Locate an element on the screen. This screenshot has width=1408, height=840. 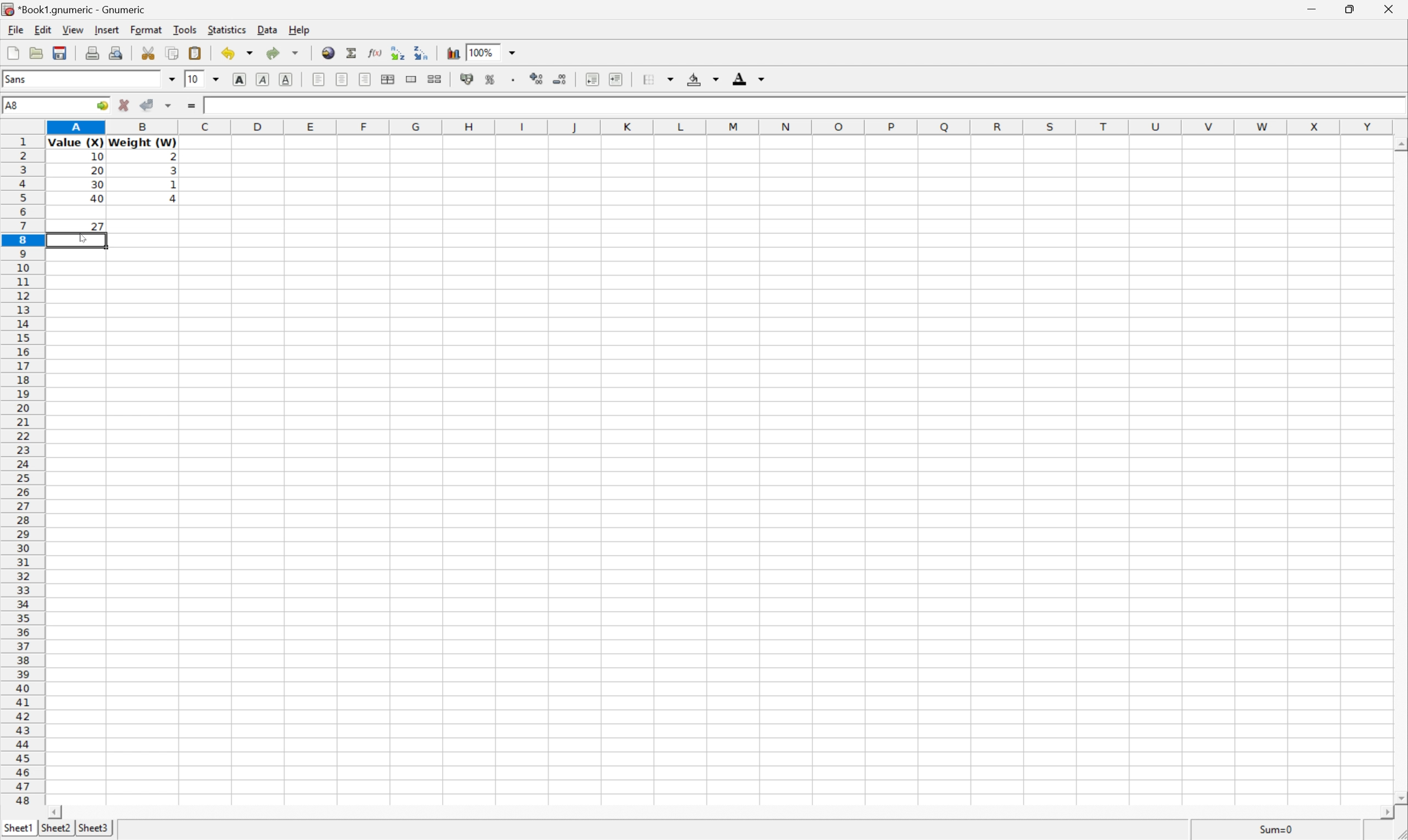
A7 is located at coordinates (11, 104).